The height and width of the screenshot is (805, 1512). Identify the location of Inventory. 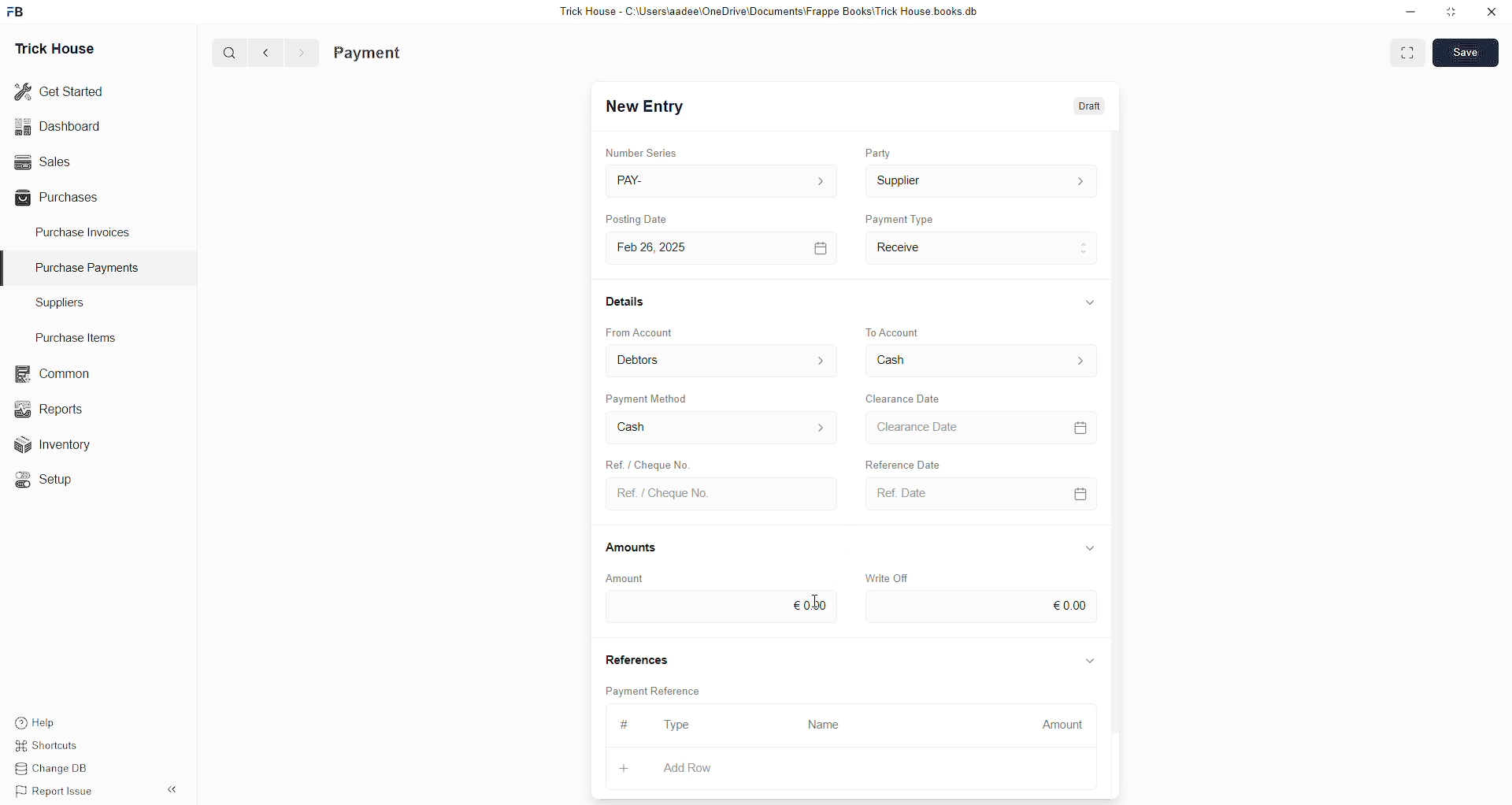
(54, 443).